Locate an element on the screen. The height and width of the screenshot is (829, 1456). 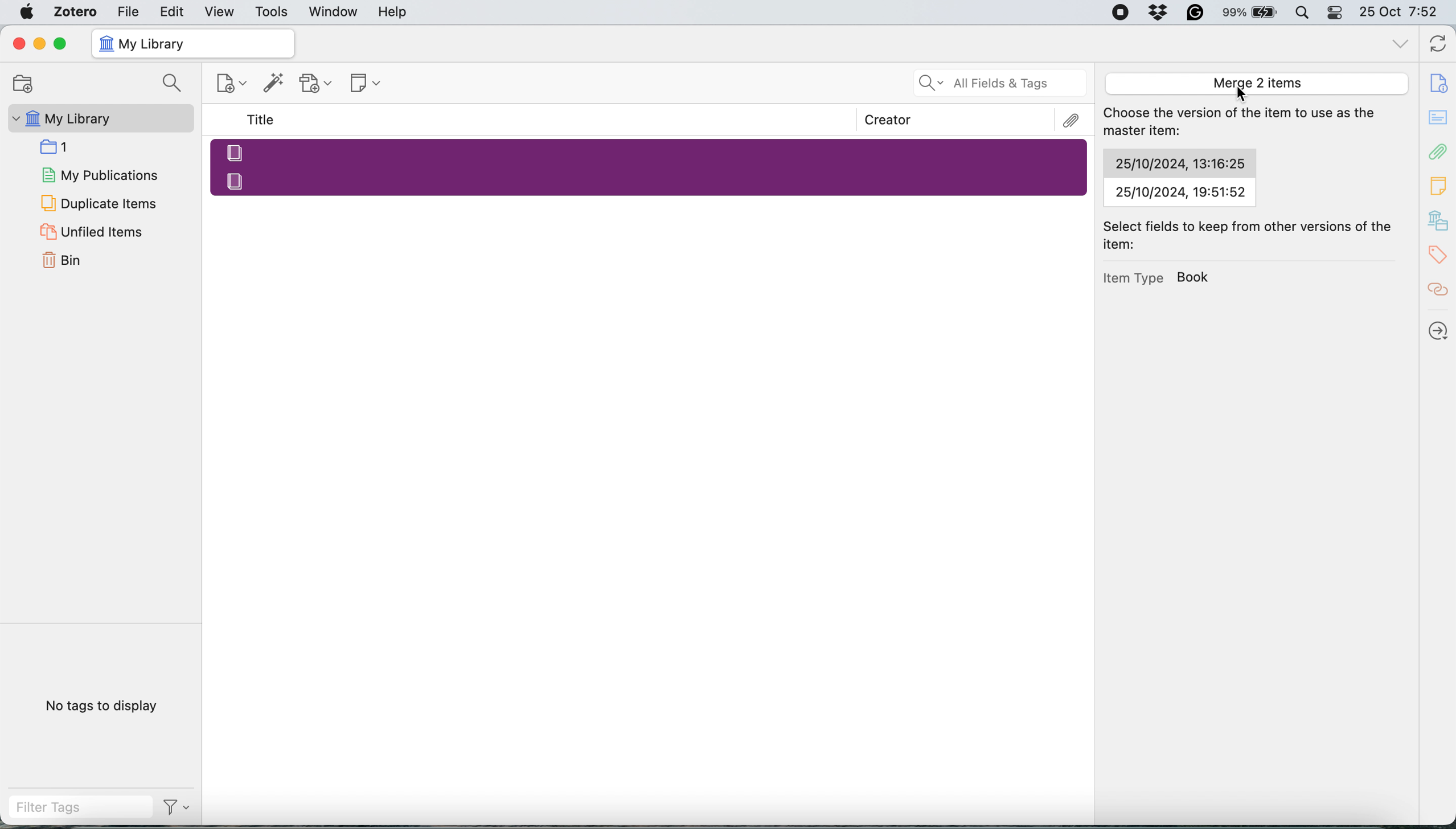
Dropbox is located at coordinates (1159, 12).